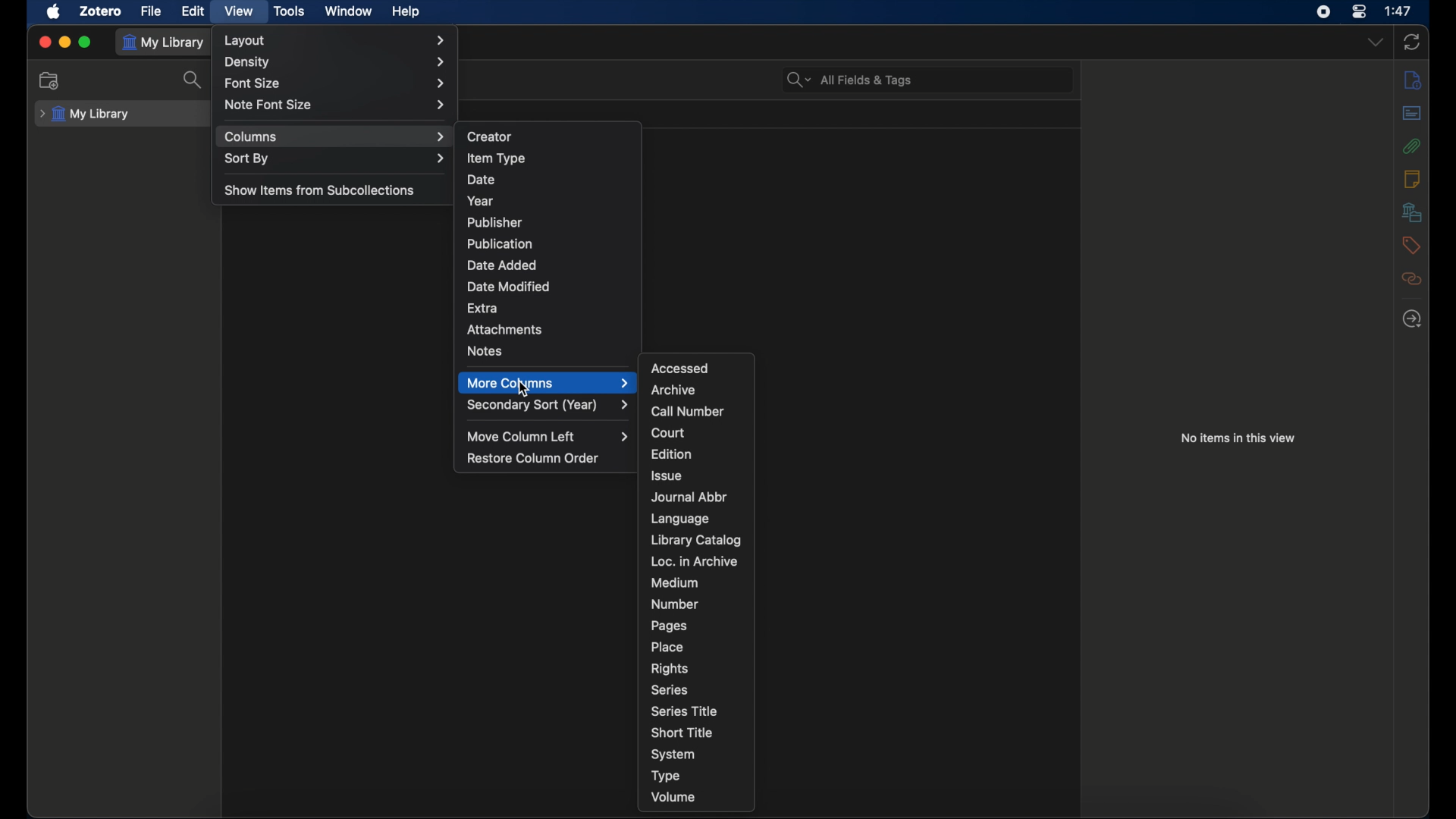  Describe the element at coordinates (681, 519) in the screenshot. I see `language` at that location.